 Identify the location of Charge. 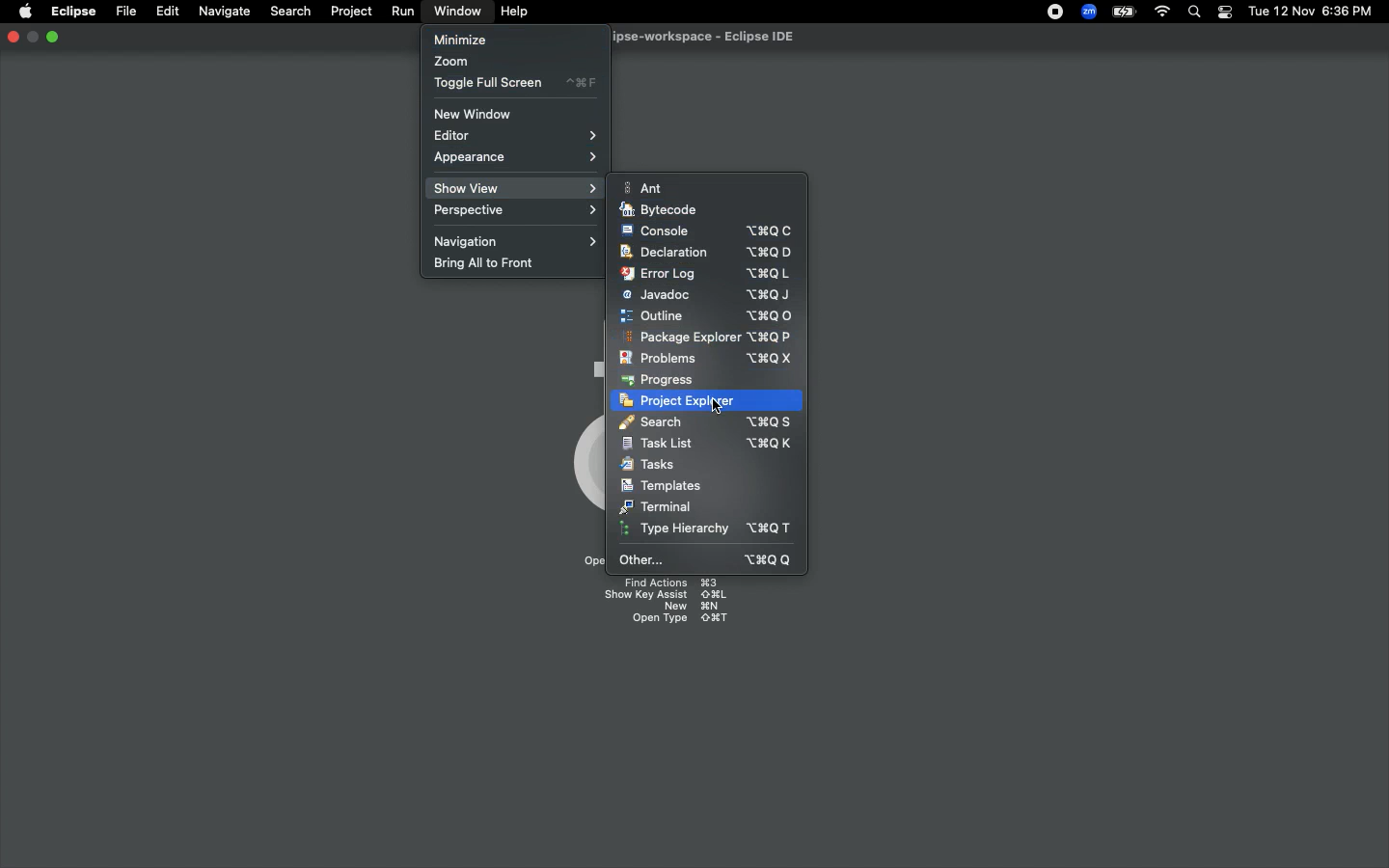
(1122, 12).